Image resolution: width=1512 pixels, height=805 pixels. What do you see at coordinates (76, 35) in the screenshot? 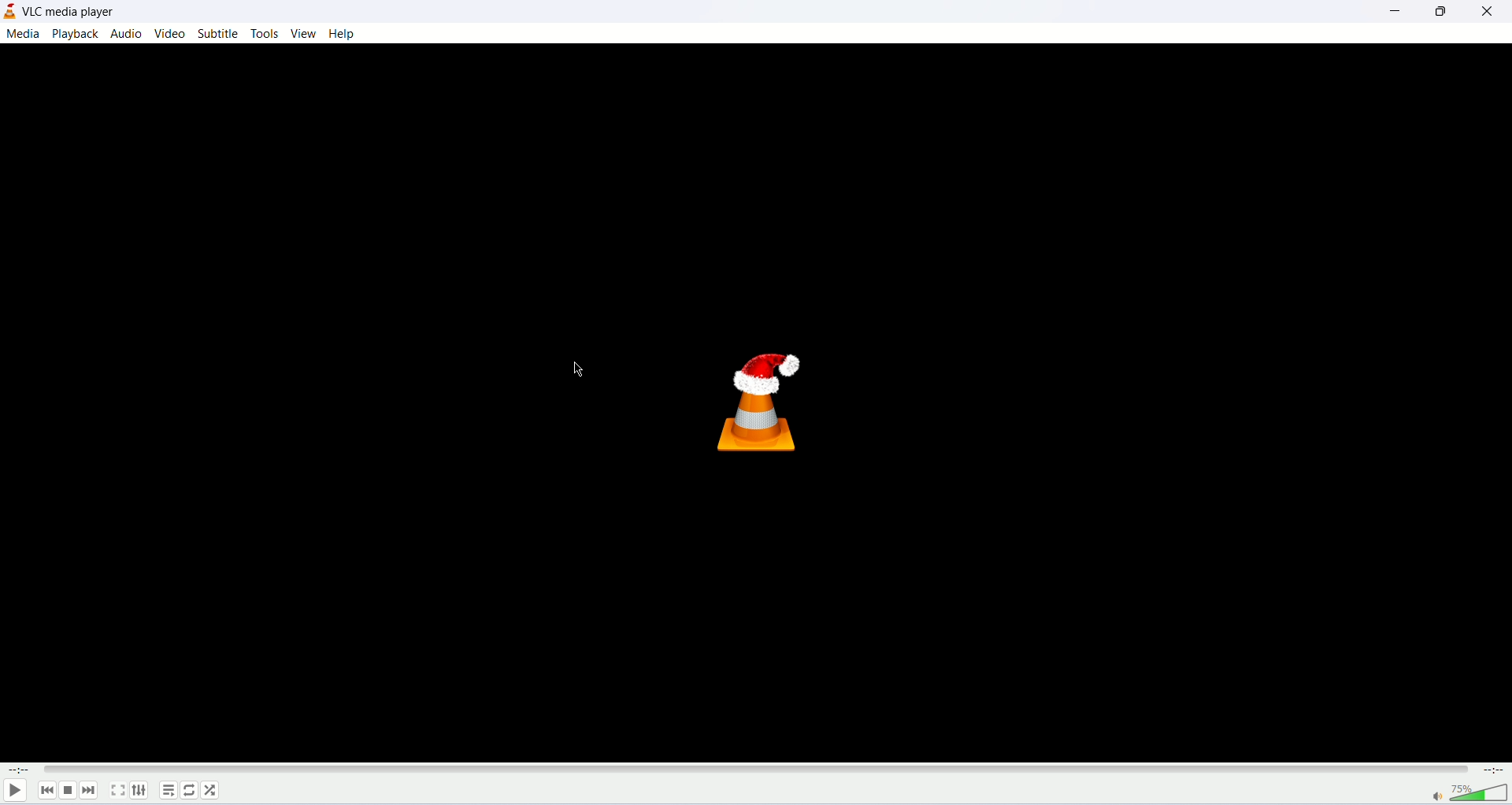
I see `playback` at bounding box center [76, 35].